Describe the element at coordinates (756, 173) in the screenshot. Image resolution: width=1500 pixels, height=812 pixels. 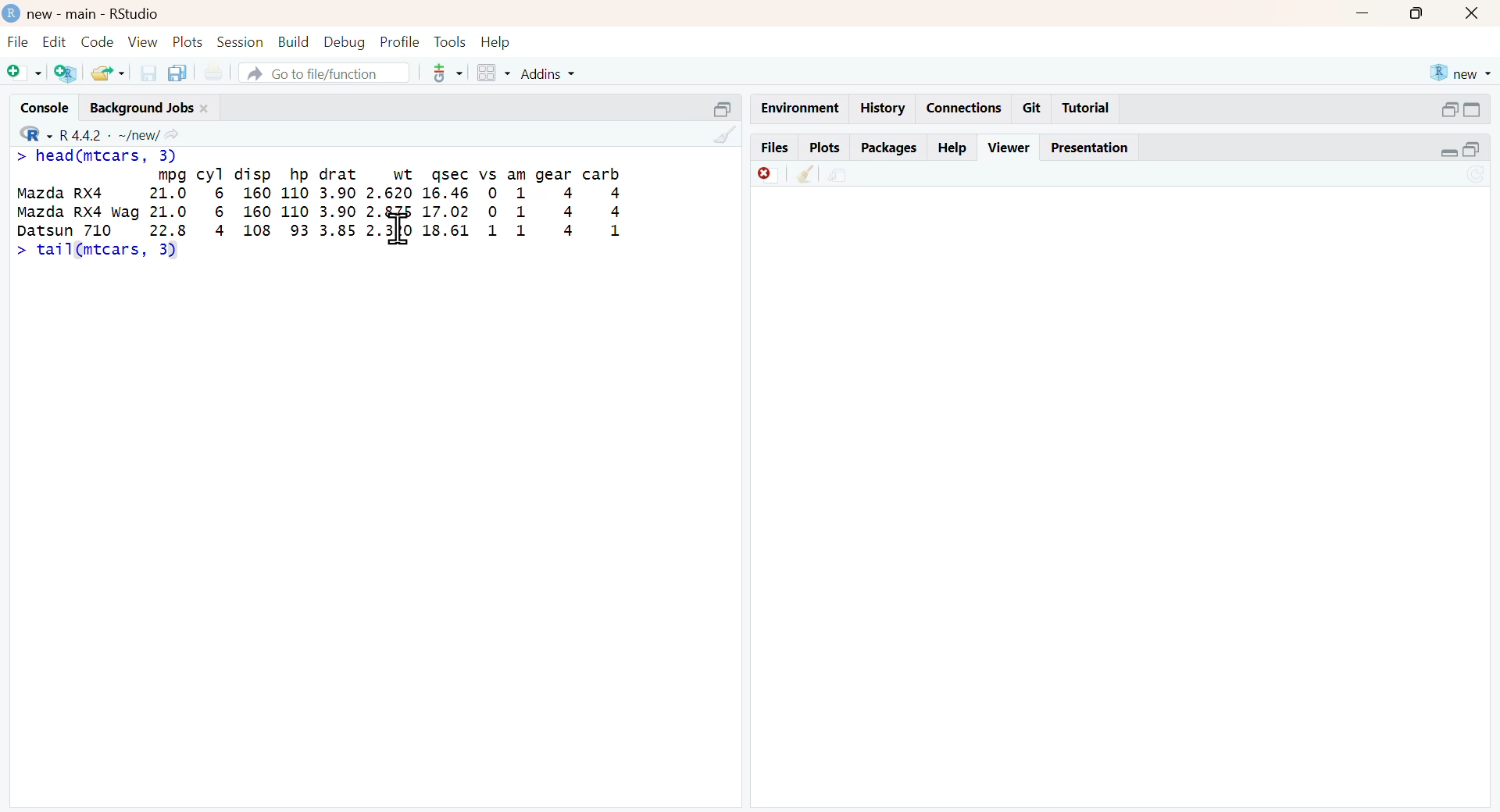
I see `Remove current viewer tem` at that location.